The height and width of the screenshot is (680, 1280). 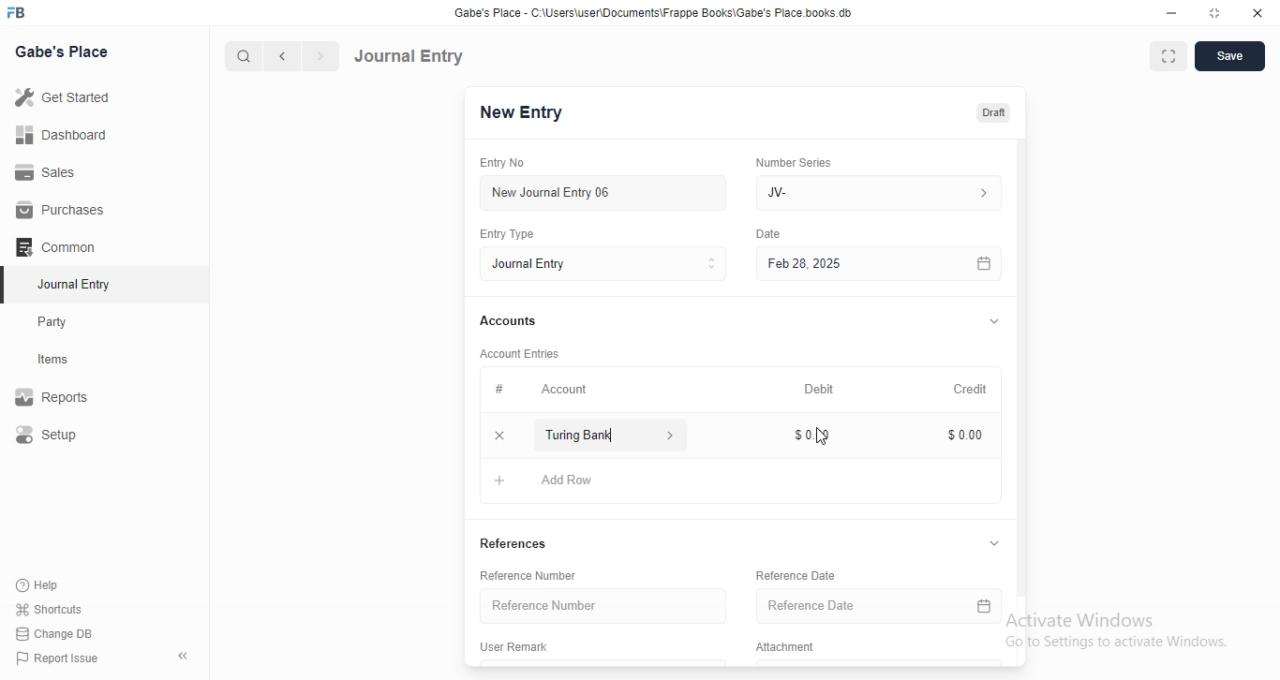 I want to click on next, so click(x=318, y=57).